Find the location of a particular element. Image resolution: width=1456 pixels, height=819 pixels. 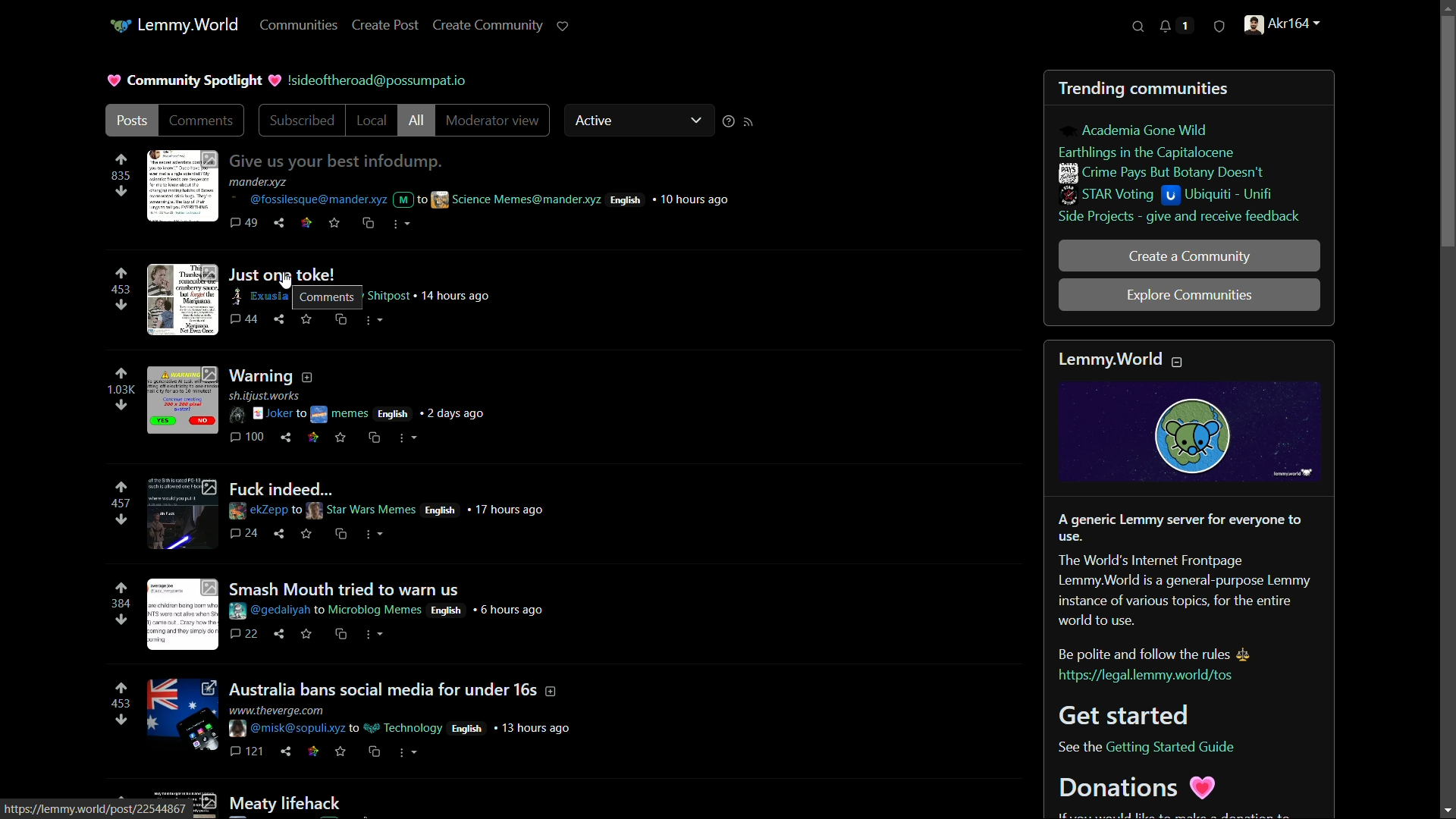

Donations  is located at coordinates (1140, 788).